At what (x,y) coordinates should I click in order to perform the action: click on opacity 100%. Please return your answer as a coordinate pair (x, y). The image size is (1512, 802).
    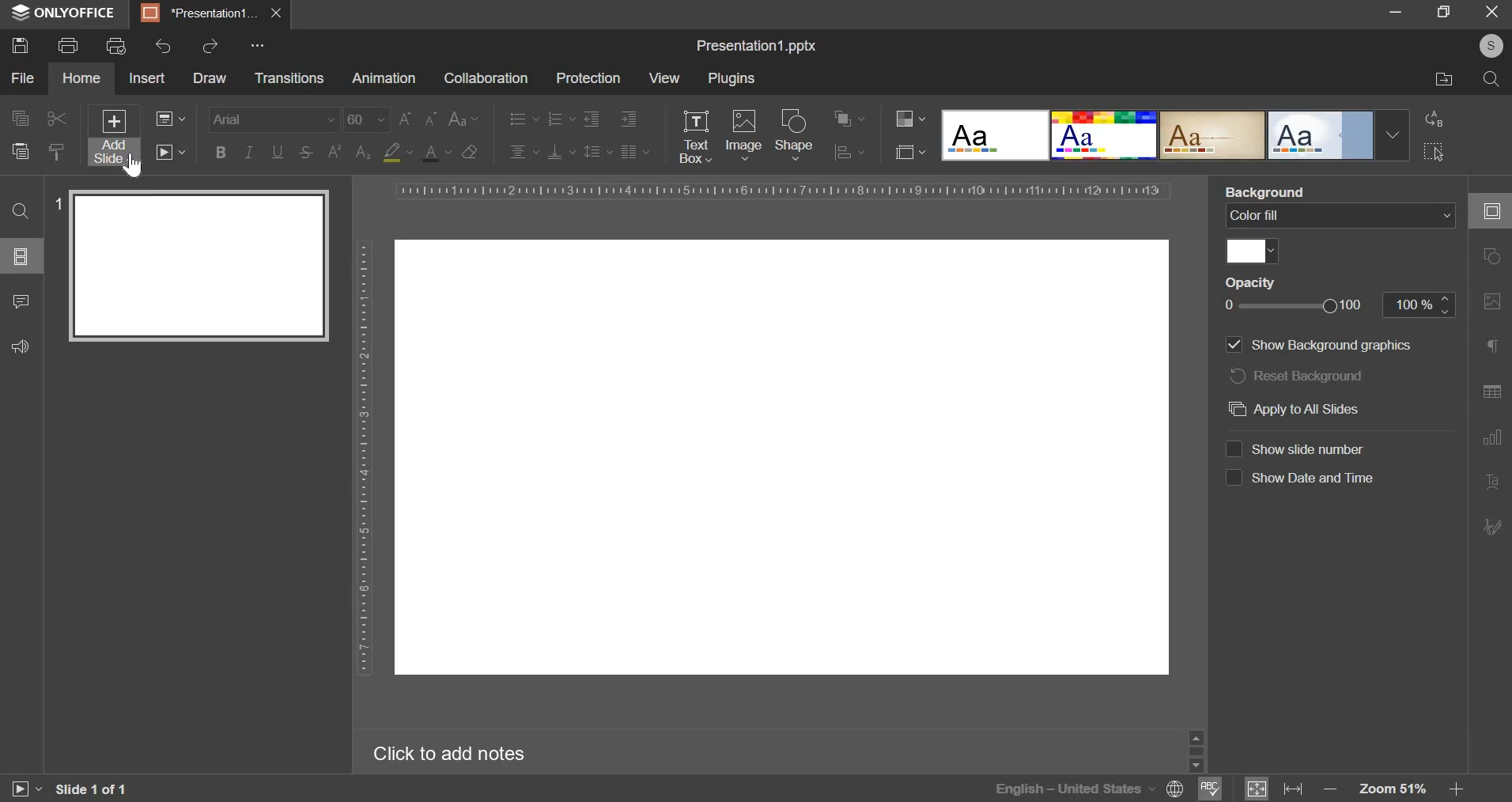
    Looking at the image, I should click on (1421, 304).